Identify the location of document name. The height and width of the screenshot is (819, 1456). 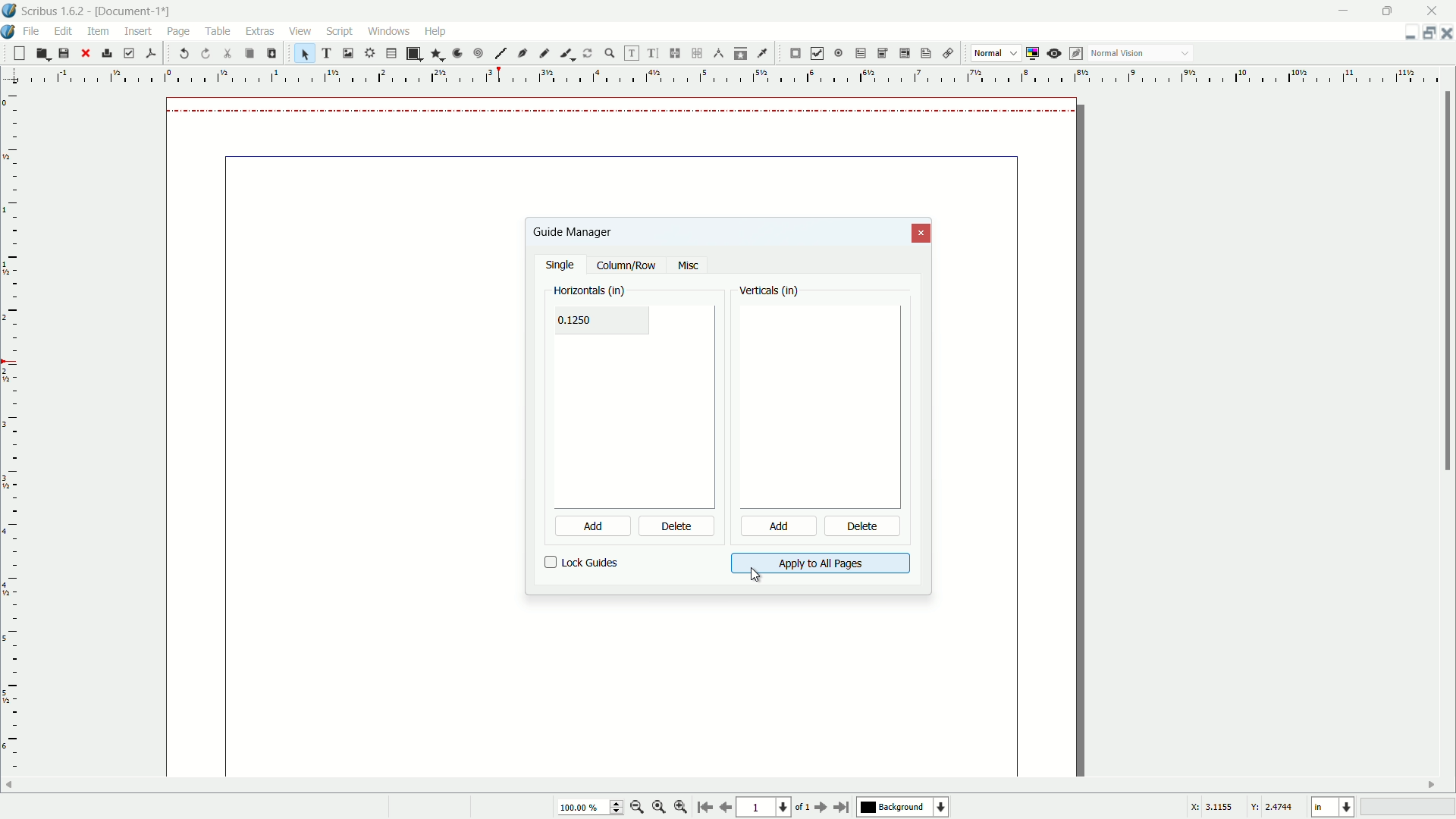
(136, 11).